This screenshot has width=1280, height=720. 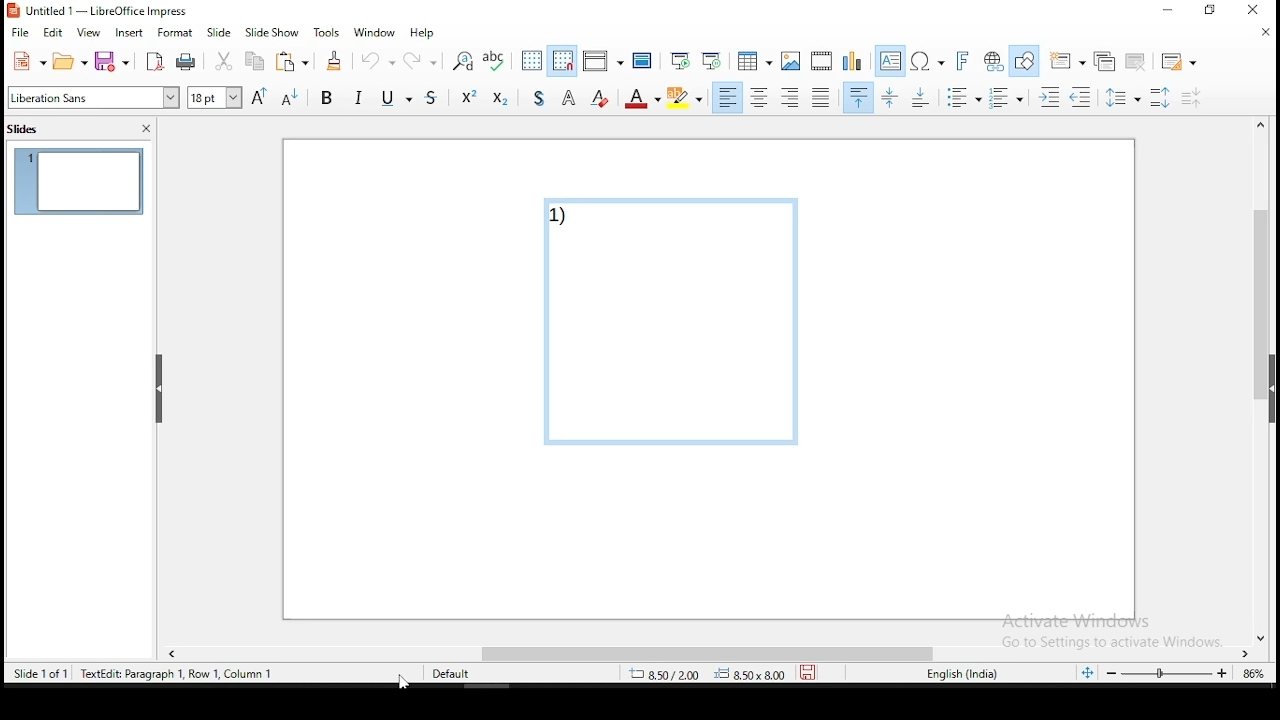 I want to click on font color, so click(x=643, y=98).